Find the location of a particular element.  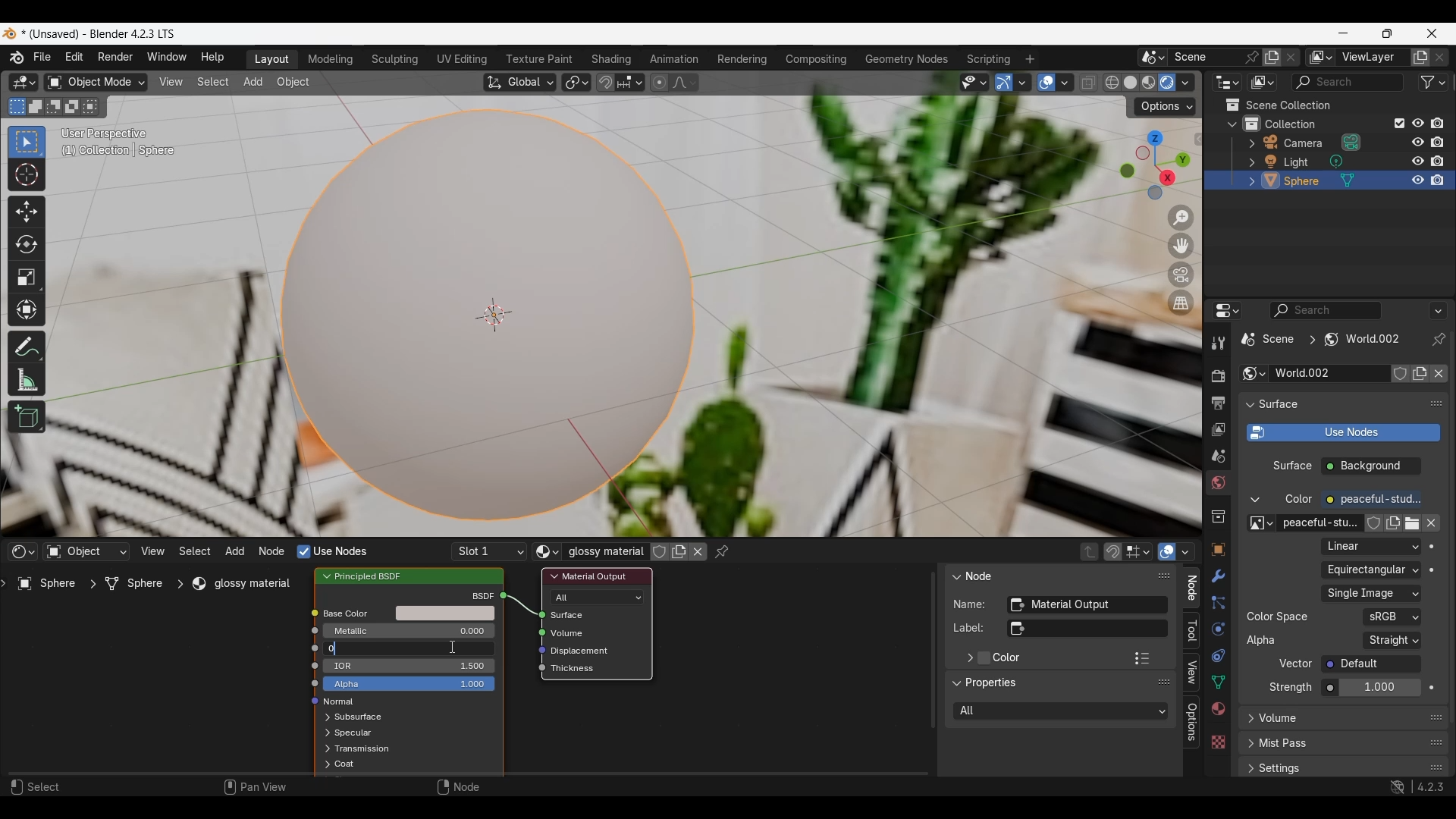

View layer properties is located at coordinates (1217, 430).